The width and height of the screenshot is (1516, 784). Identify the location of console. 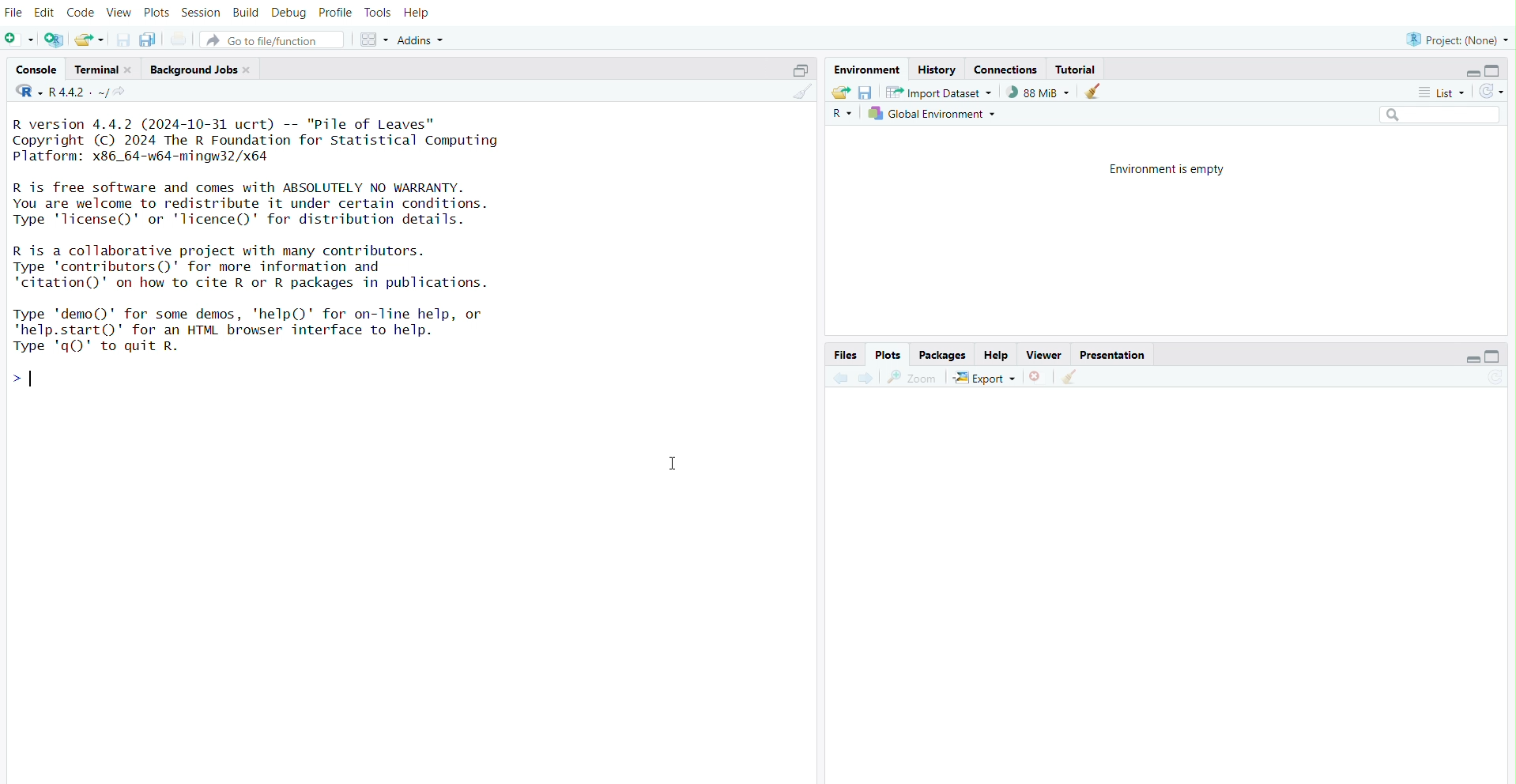
(30, 67).